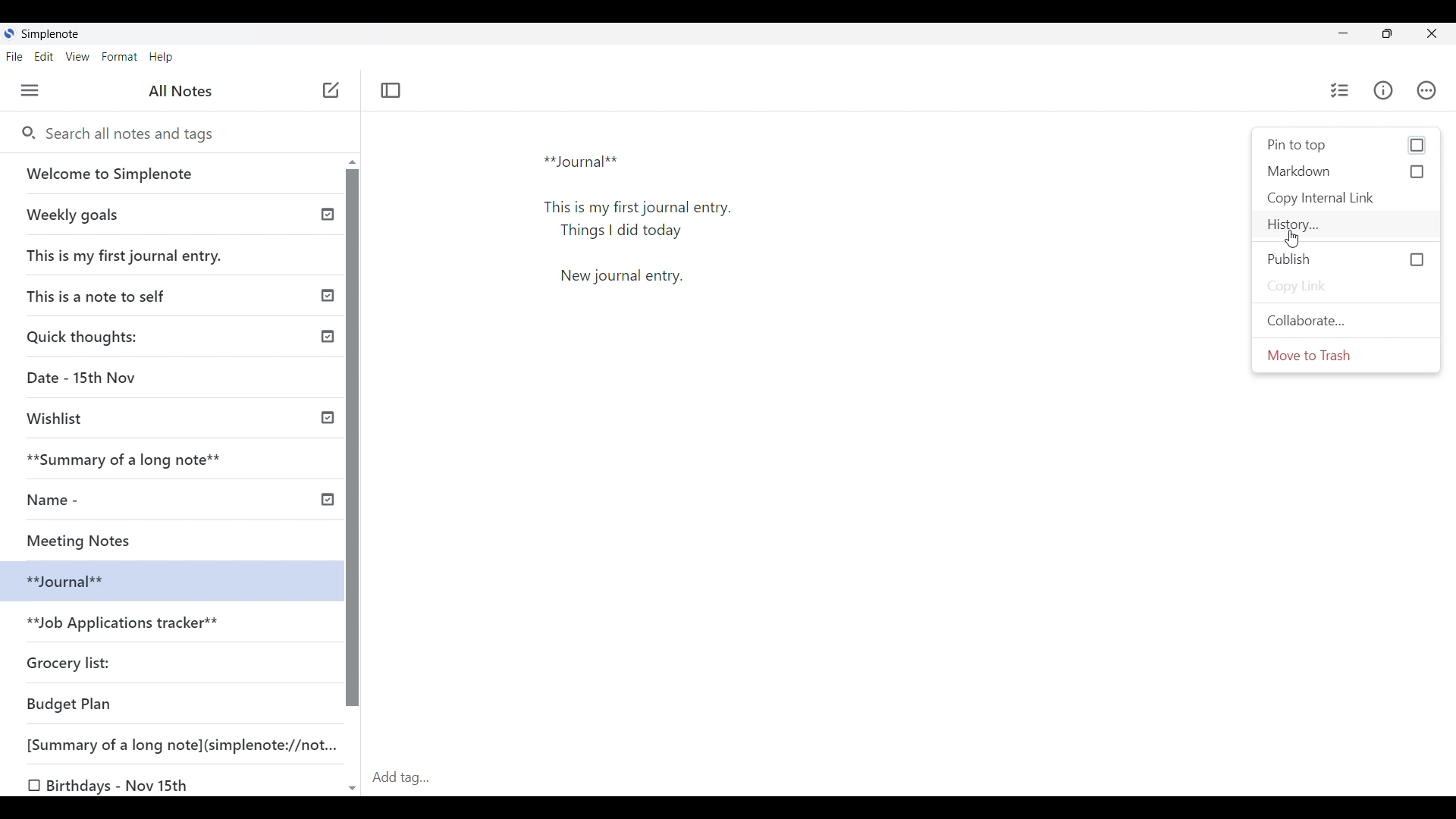 This screenshot has width=1456, height=819. What do you see at coordinates (1346, 225) in the screenshot?
I see `History of current note` at bounding box center [1346, 225].